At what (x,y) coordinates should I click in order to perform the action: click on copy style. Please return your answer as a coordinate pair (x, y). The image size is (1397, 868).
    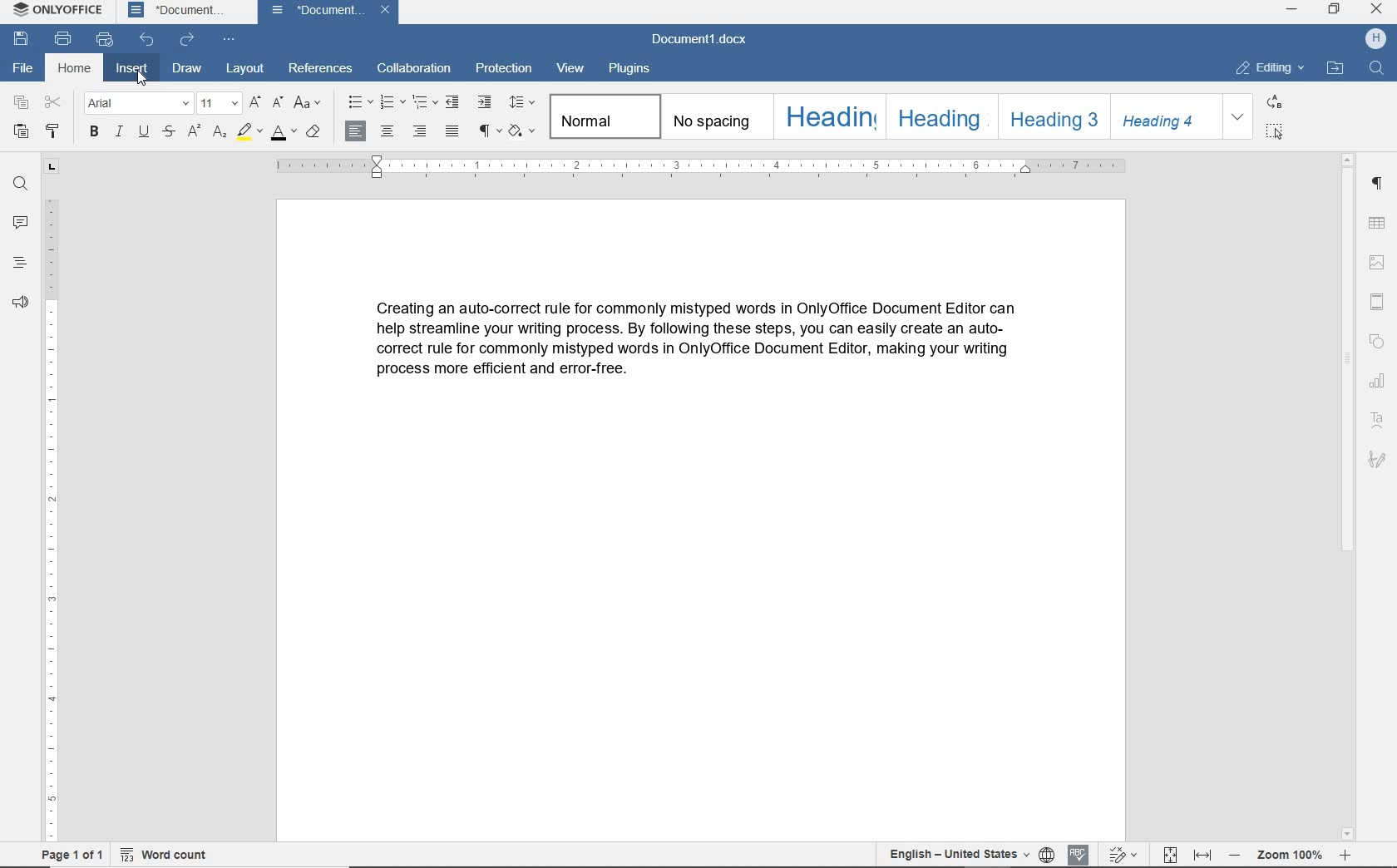
    Looking at the image, I should click on (52, 131).